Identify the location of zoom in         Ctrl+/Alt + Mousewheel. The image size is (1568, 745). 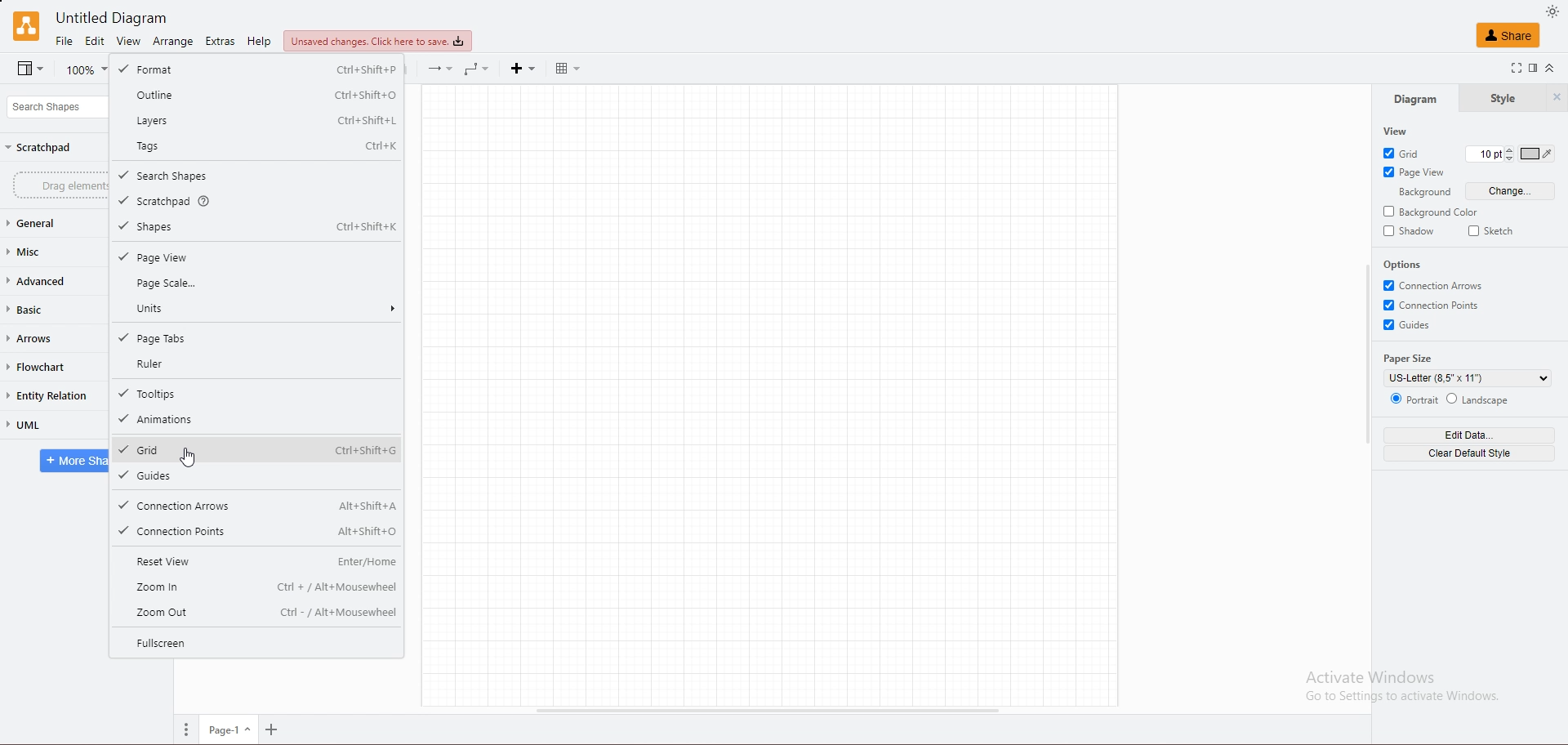
(257, 587).